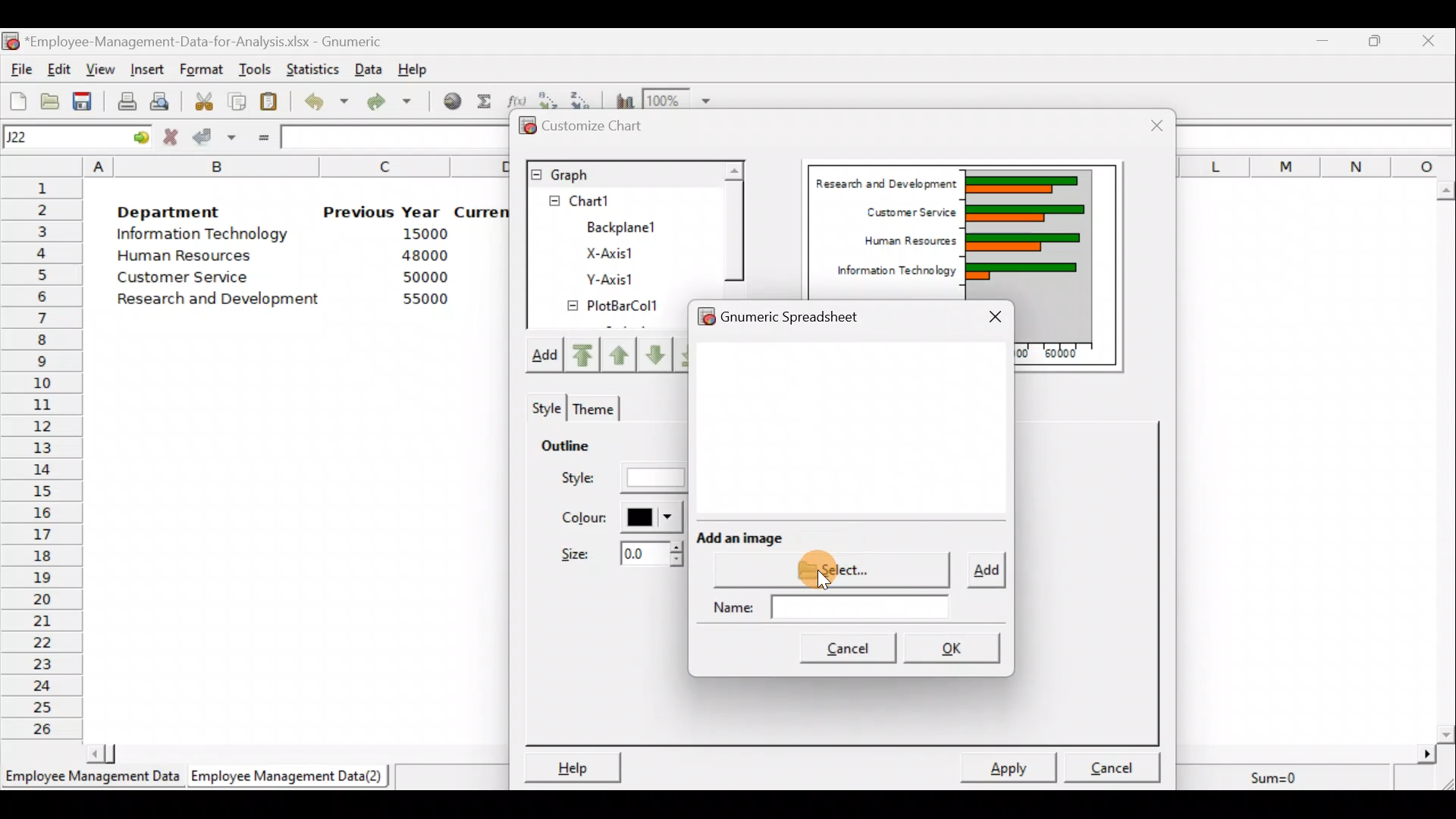 The image size is (1456, 819). I want to click on Zoom, so click(679, 99).